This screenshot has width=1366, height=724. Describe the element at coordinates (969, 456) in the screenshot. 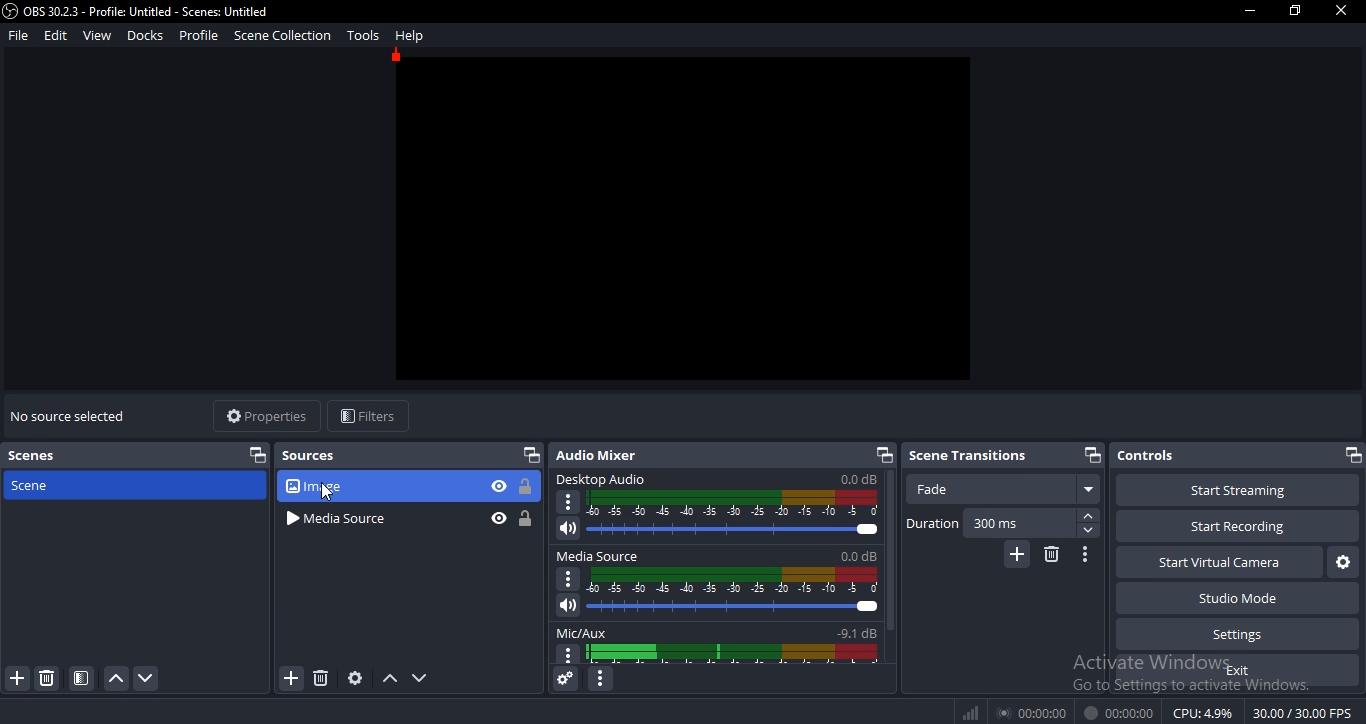

I see `scene transitions` at that location.